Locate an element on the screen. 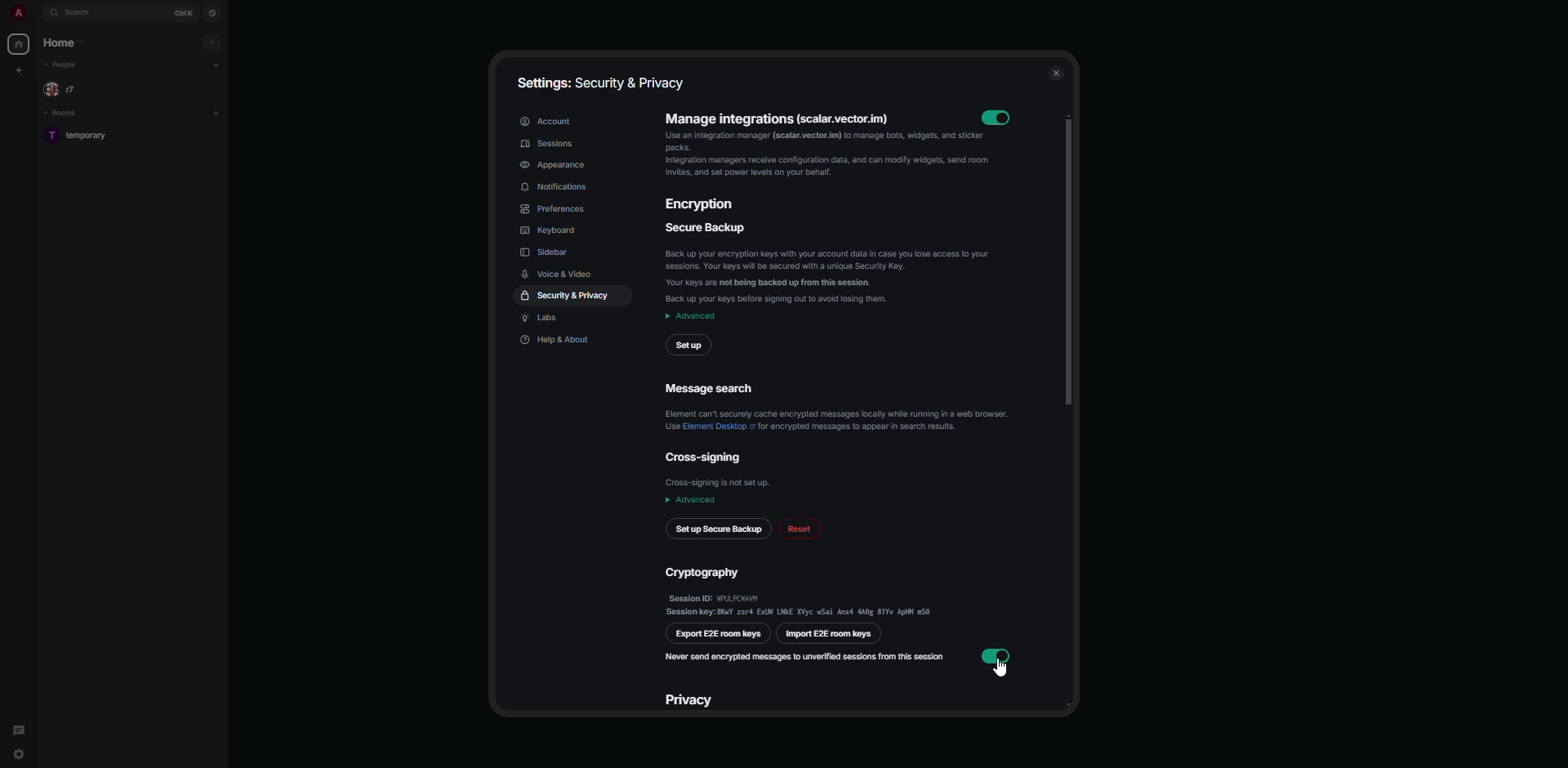  help & about is located at coordinates (559, 340).